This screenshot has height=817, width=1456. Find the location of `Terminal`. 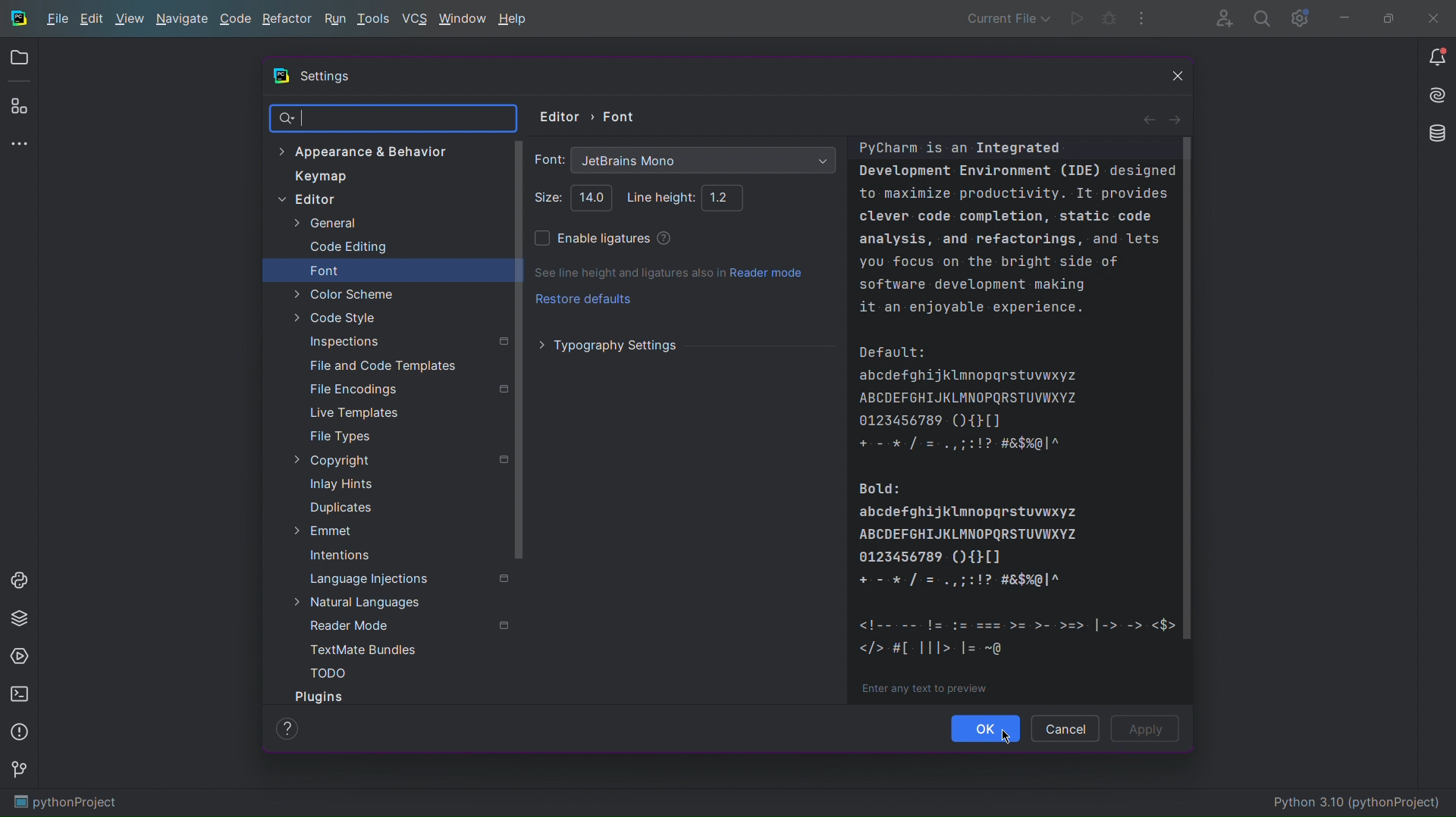

Terminal is located at coordinates (22, 695).